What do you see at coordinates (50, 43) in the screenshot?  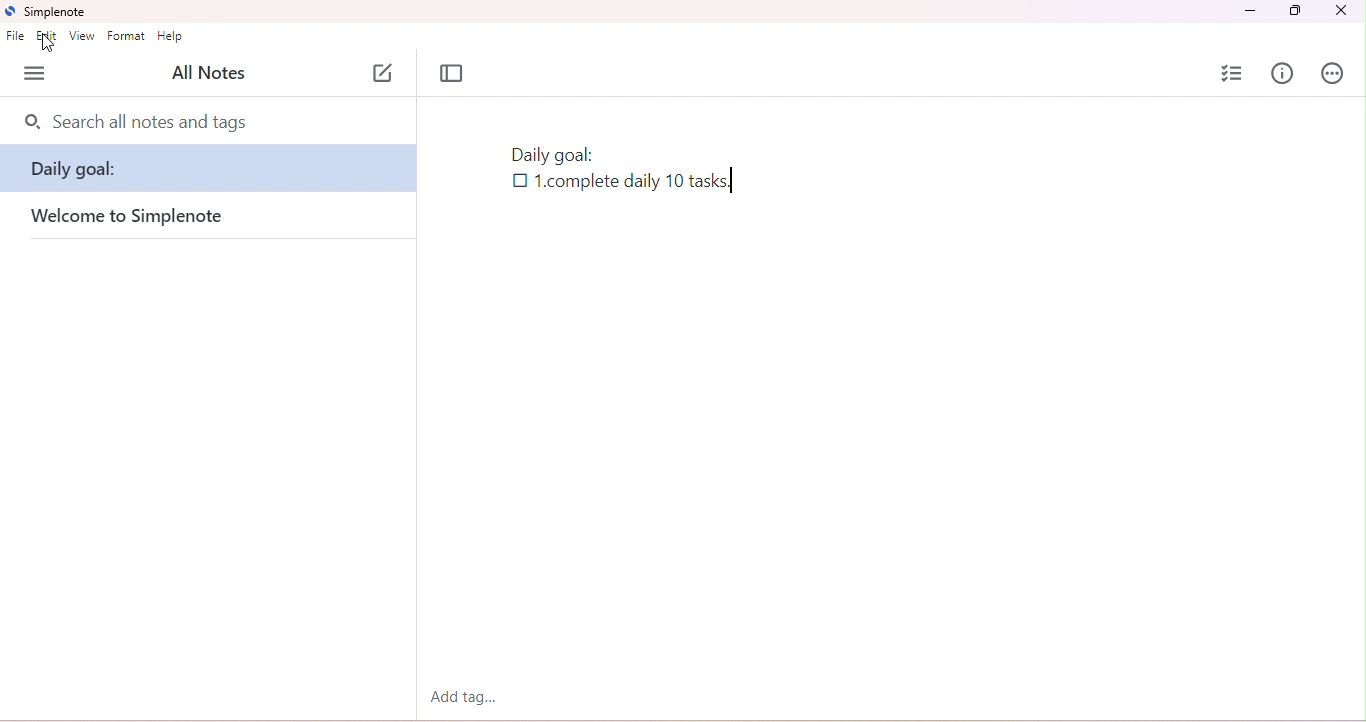 I see `cursor moved` at bounding box center [50, 43].